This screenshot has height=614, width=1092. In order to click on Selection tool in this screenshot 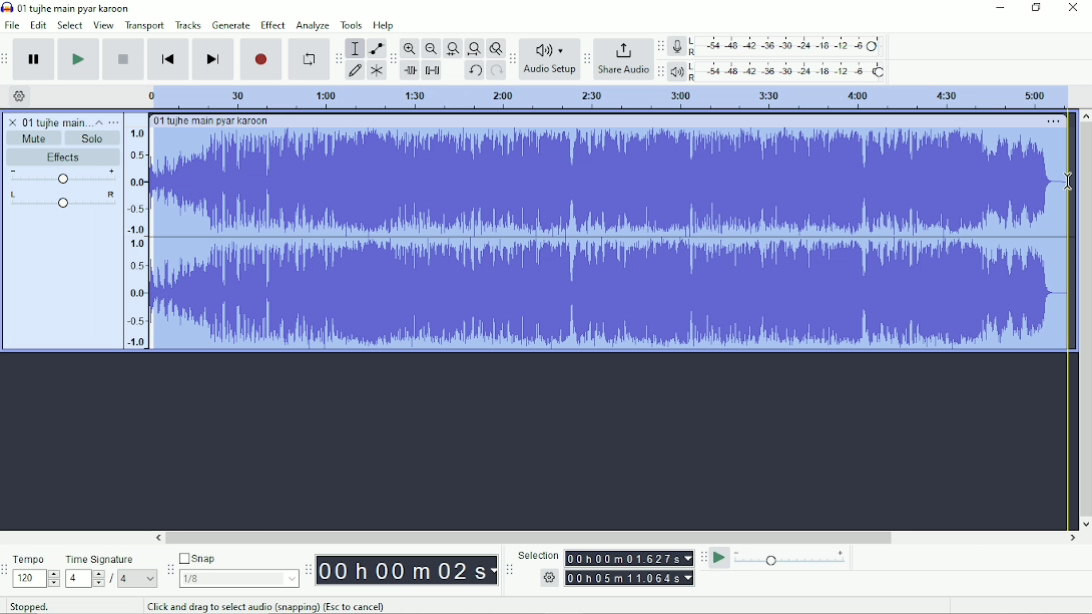, I will do `click(355, 48)`.